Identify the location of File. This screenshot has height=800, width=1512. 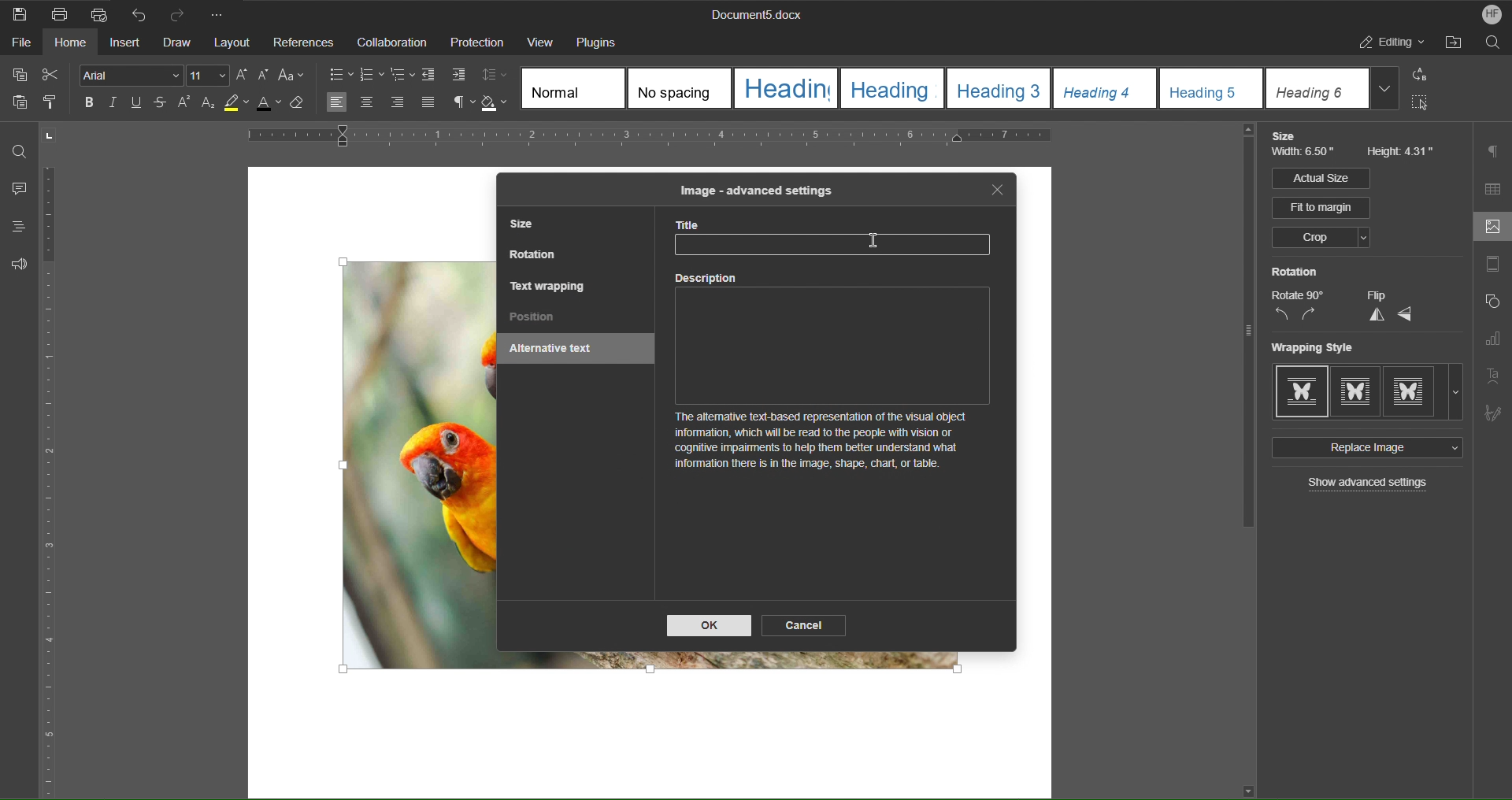
(17, 45).